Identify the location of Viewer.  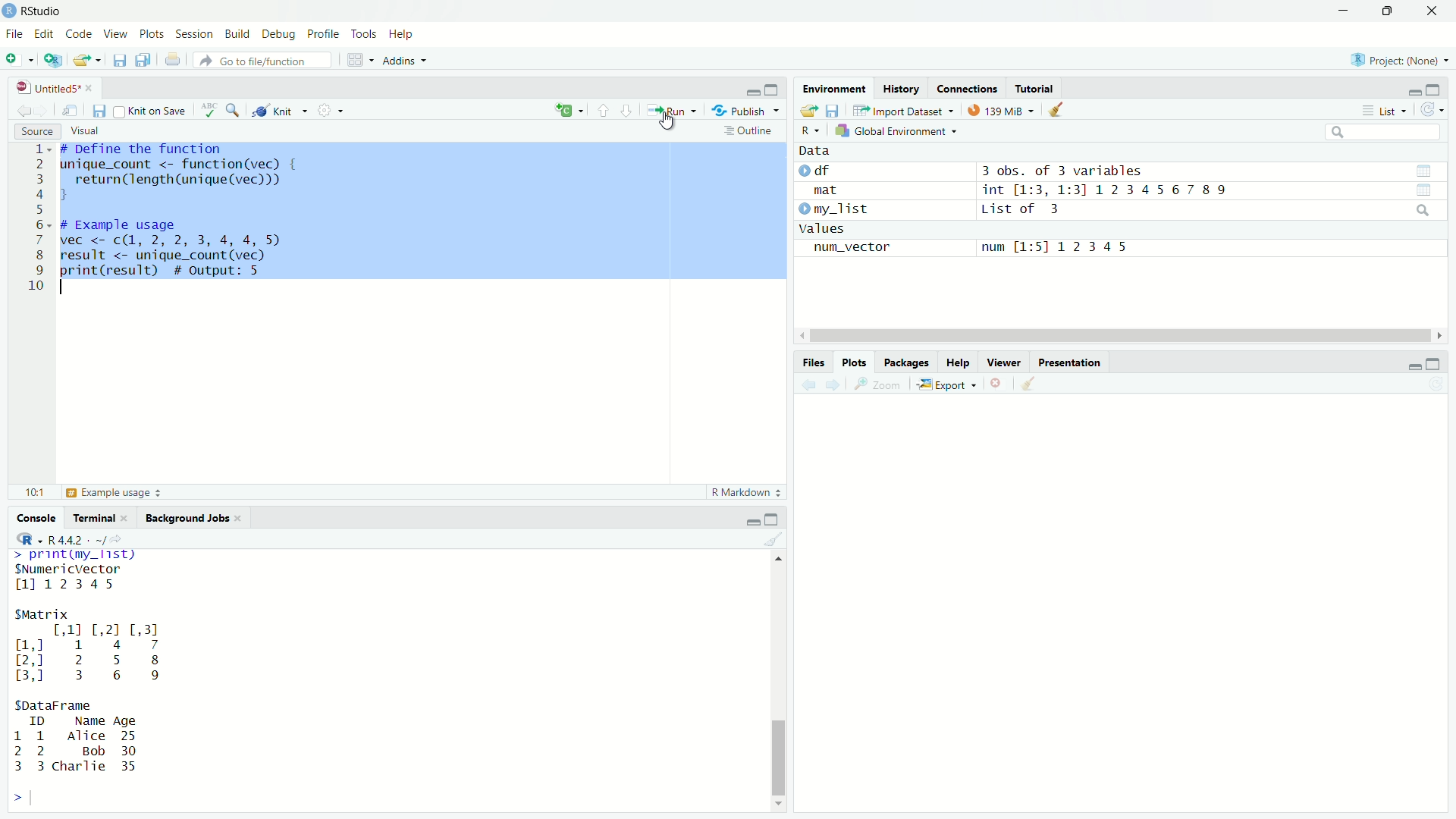
(1006, 362).